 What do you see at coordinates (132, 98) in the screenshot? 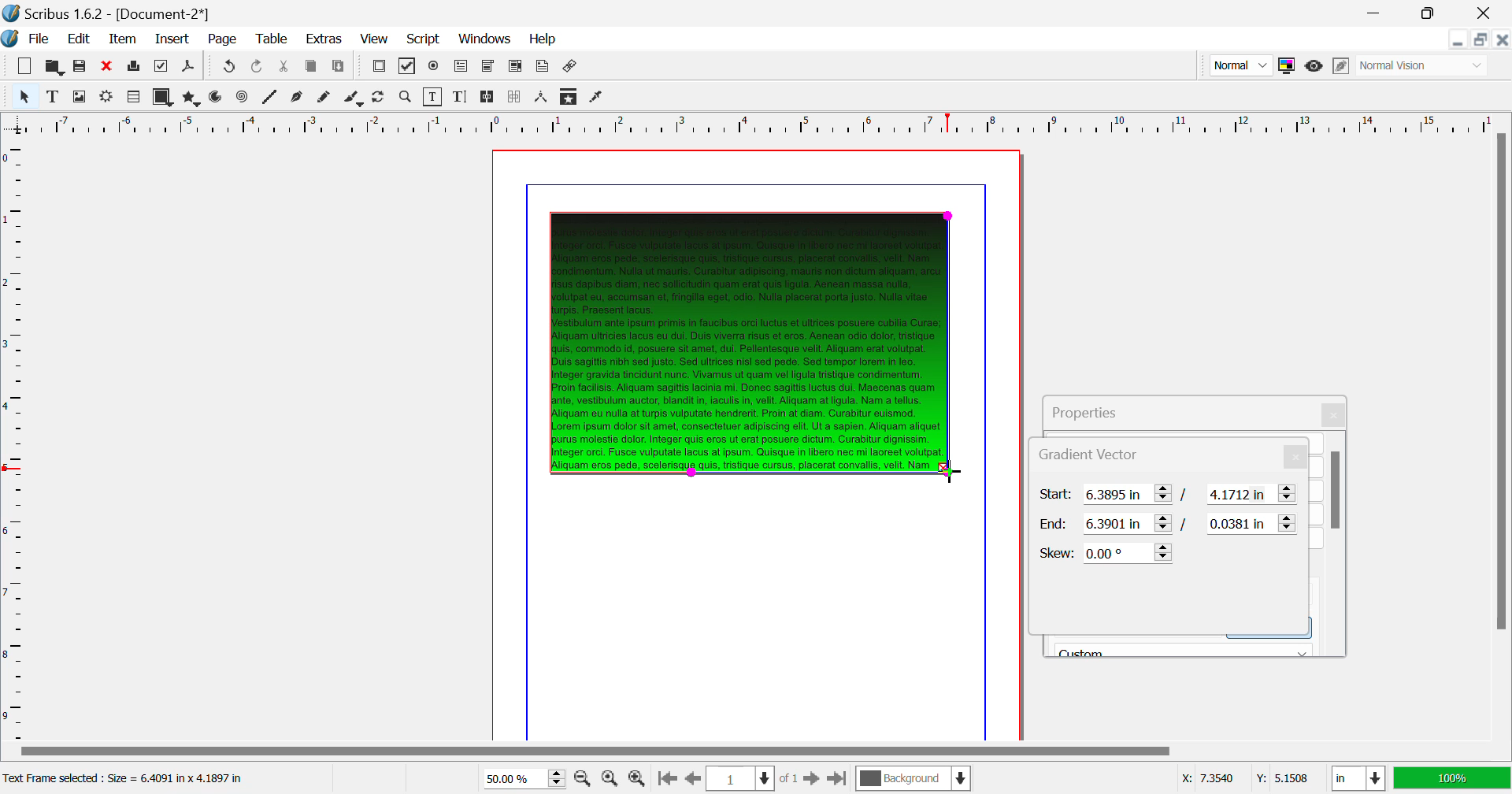
I see `Render Frame` at bounding box center [132, 98].